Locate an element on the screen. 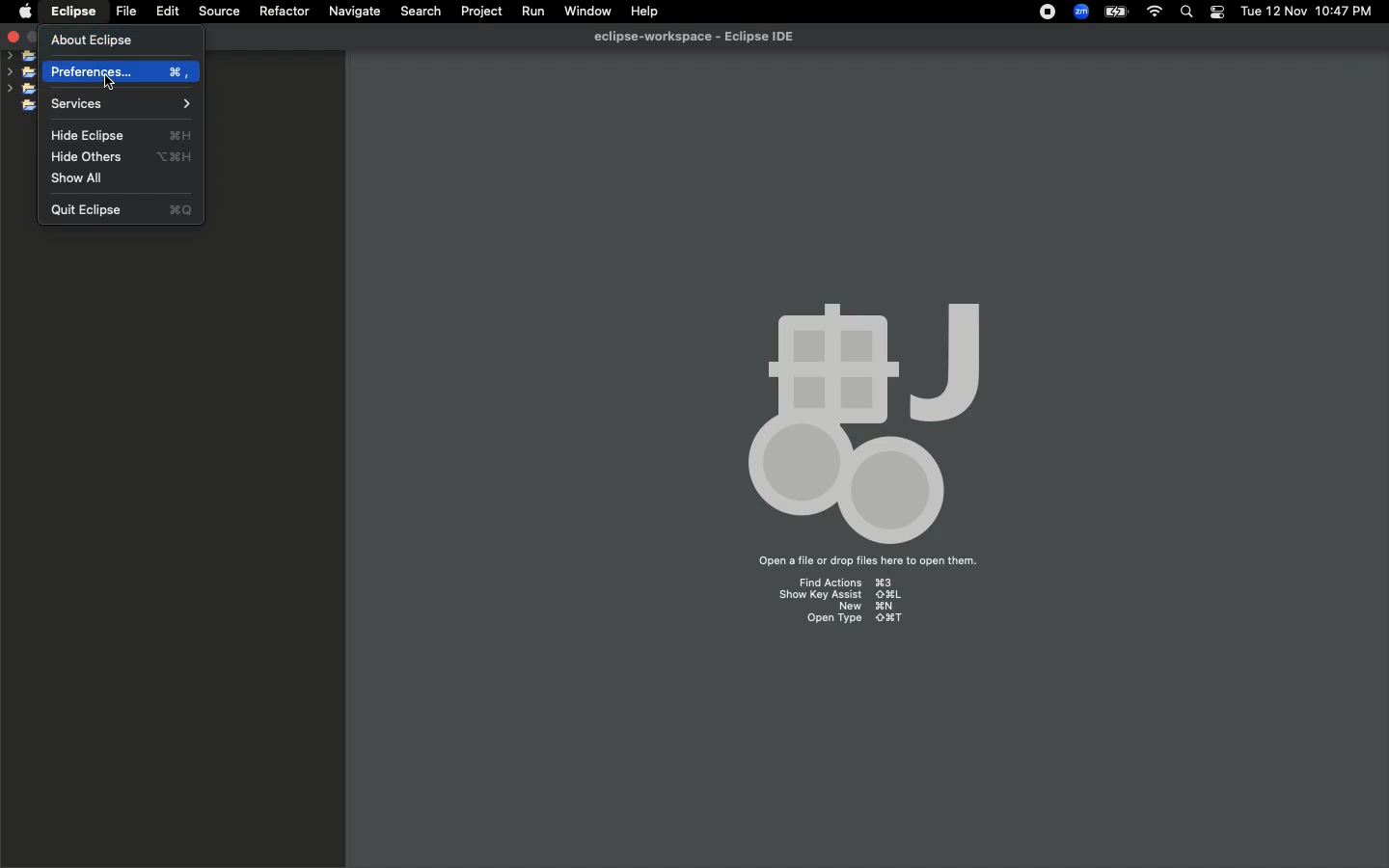 The height and width of the screenshot is (868, 1389). Hide eclipse is located at coordinates (121, 135).